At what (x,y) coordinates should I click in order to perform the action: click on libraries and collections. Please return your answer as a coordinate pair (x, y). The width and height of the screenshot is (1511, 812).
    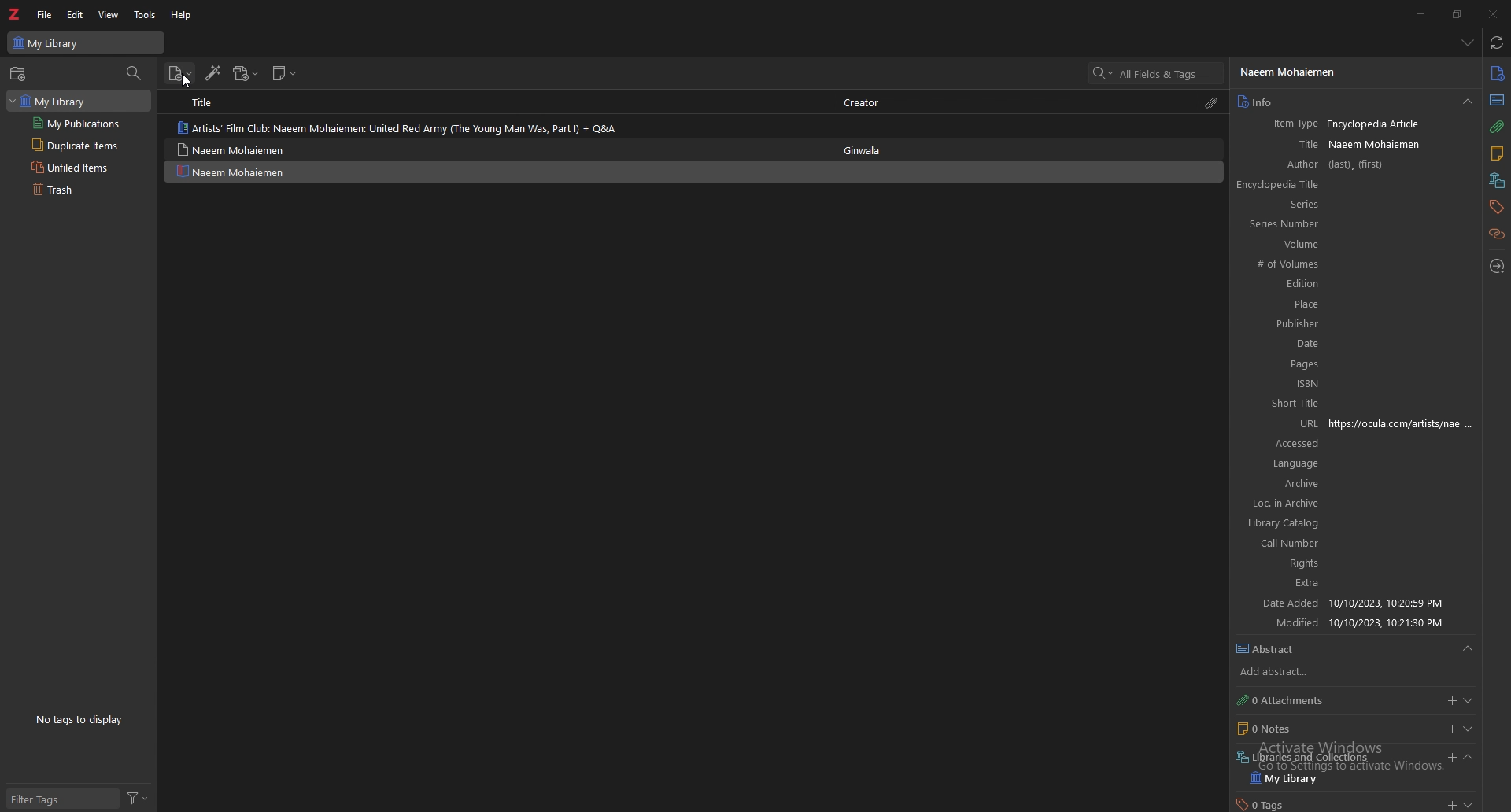
    Looking at the image, I should click on (1498, 180).